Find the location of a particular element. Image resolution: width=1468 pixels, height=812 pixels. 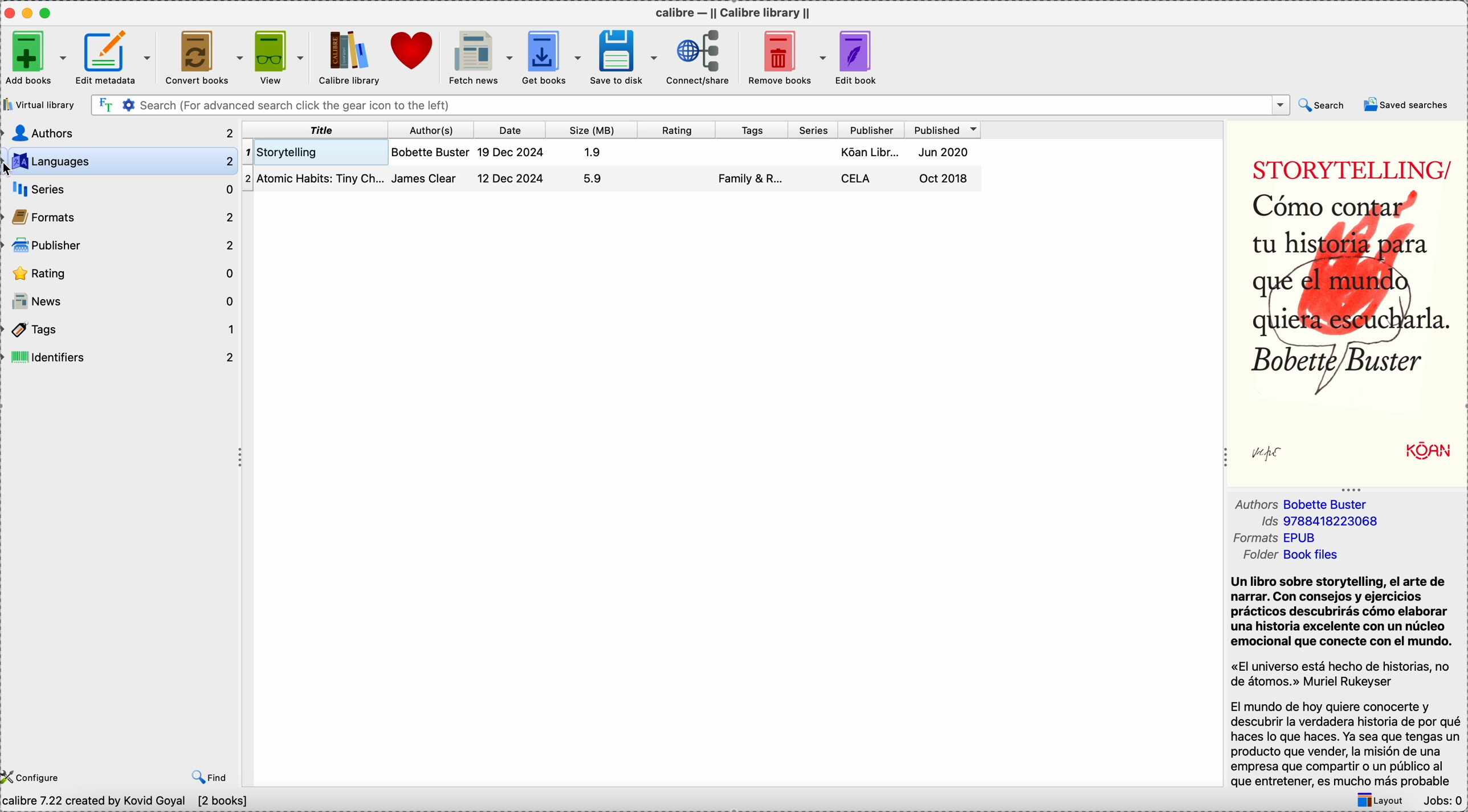

close Calibre is located at coordinates (10, 11).